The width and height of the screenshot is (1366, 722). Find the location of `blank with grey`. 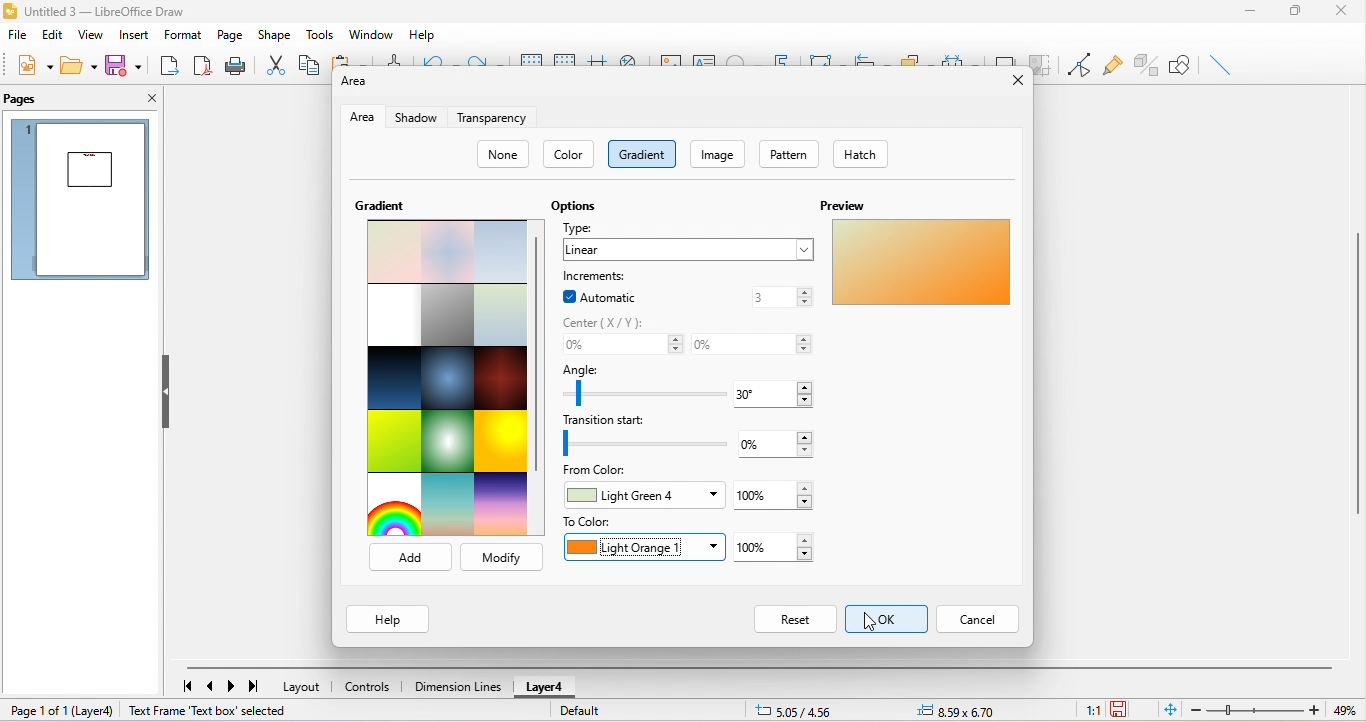

blank with grey is located at coordinates (394, 317).